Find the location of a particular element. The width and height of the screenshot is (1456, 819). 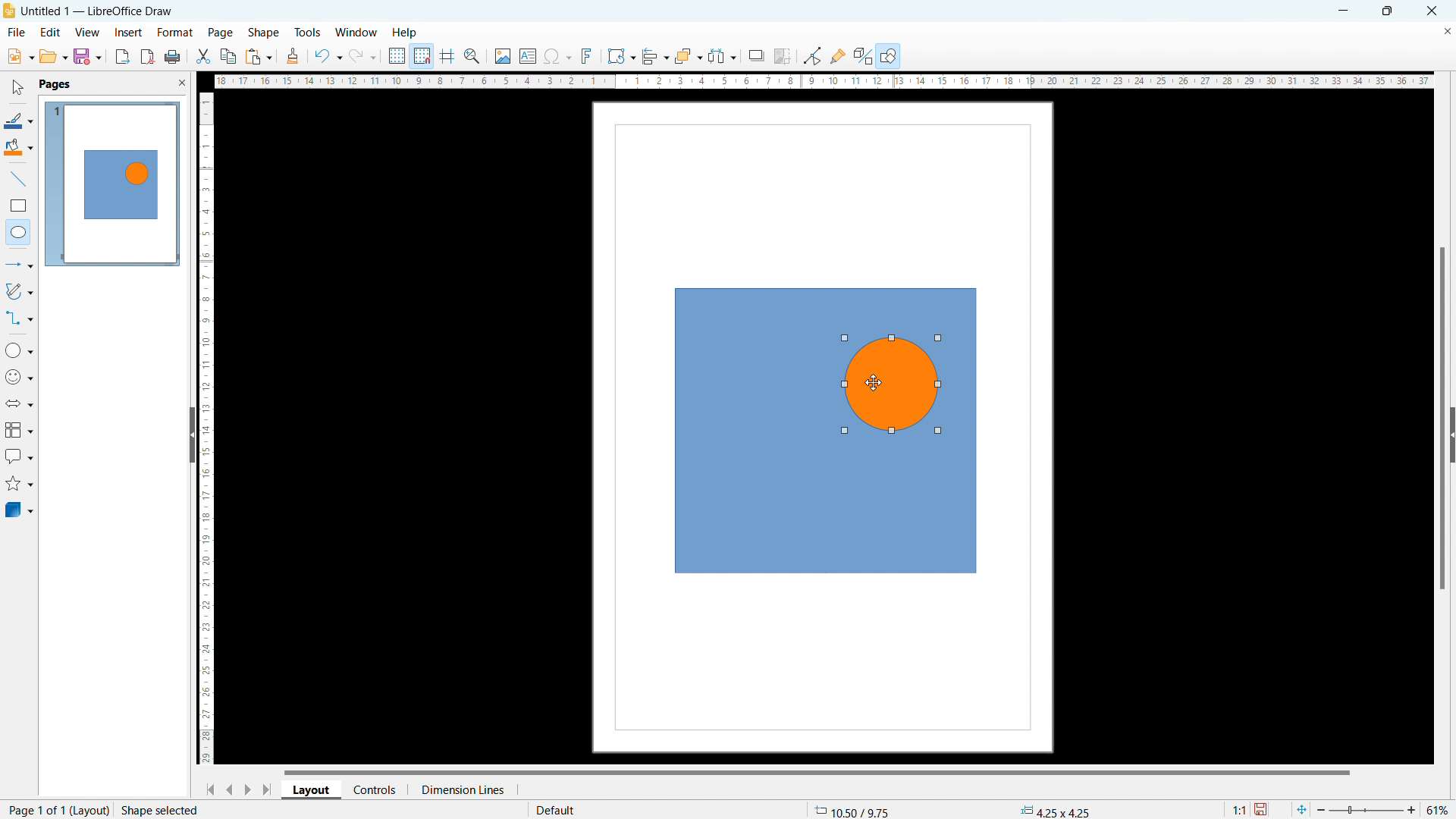

controls is located at coordinates (376, 789).